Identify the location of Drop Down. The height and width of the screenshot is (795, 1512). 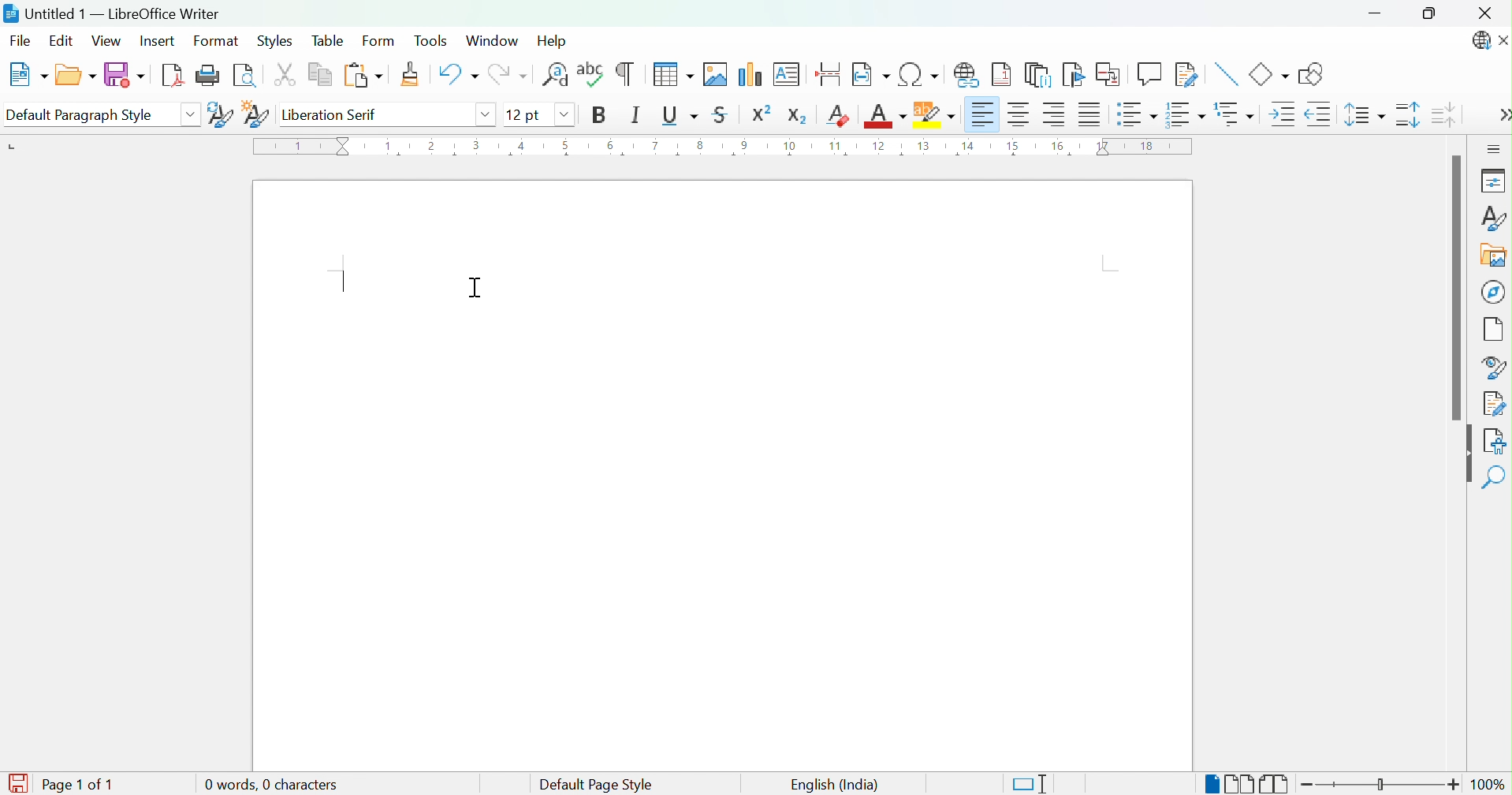
(191, 114).